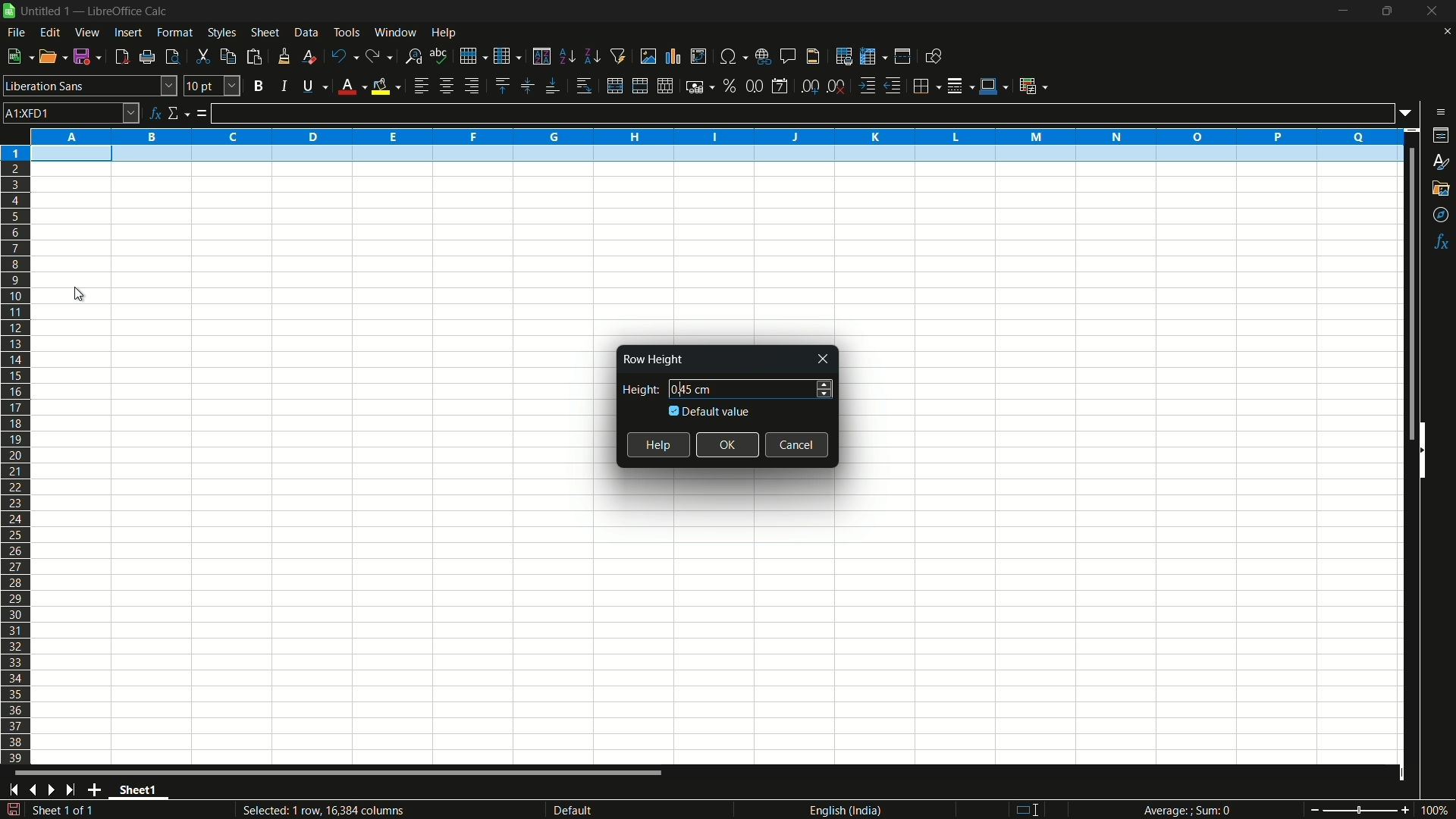 This screenshot has width=1456, height=819. What do you see at coordinates (658, 445) in the screenshot?
I see `help` at bounding box center [658, 445].